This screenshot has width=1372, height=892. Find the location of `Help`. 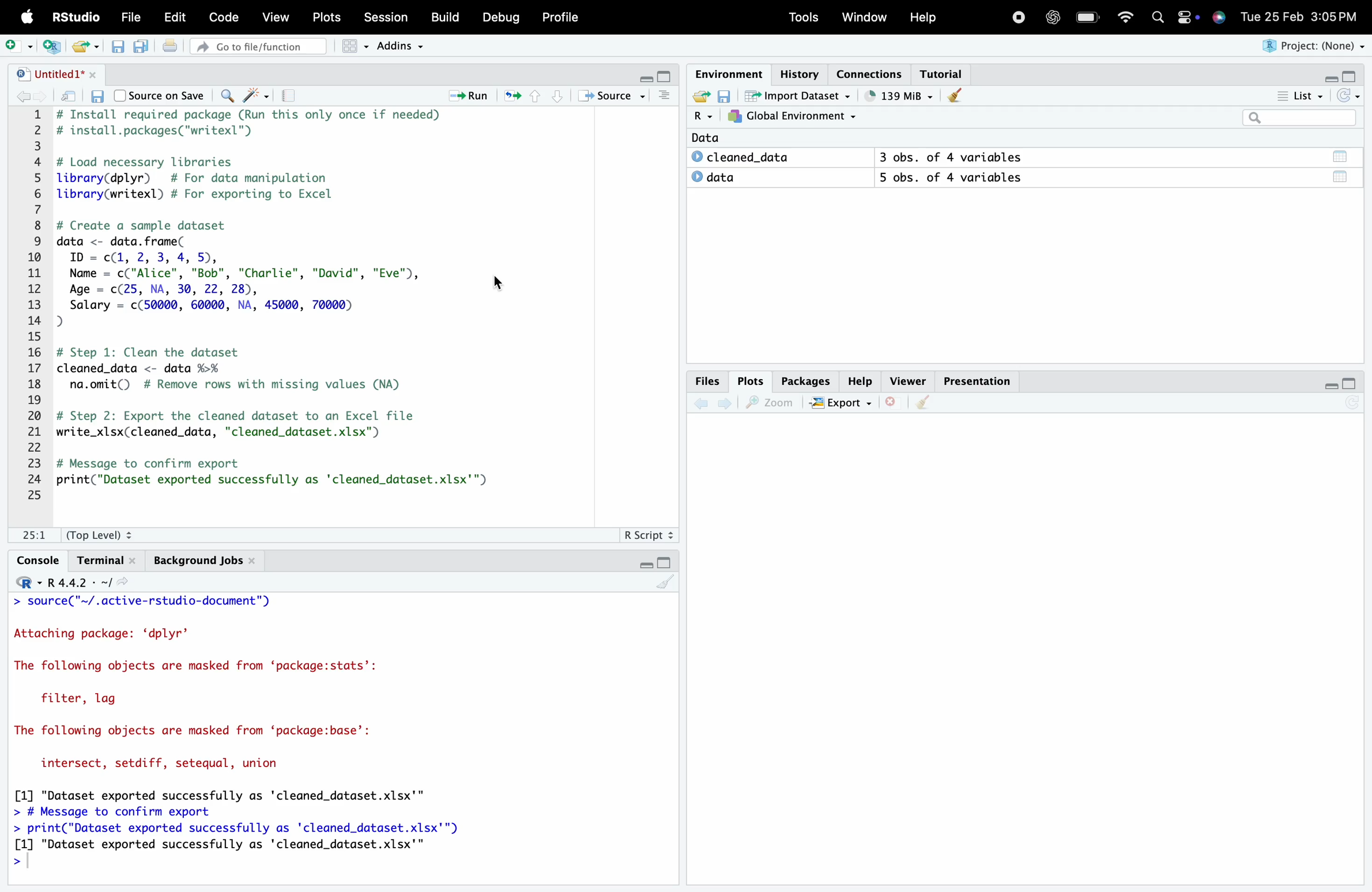

Help is located at coordinates (862, 381).